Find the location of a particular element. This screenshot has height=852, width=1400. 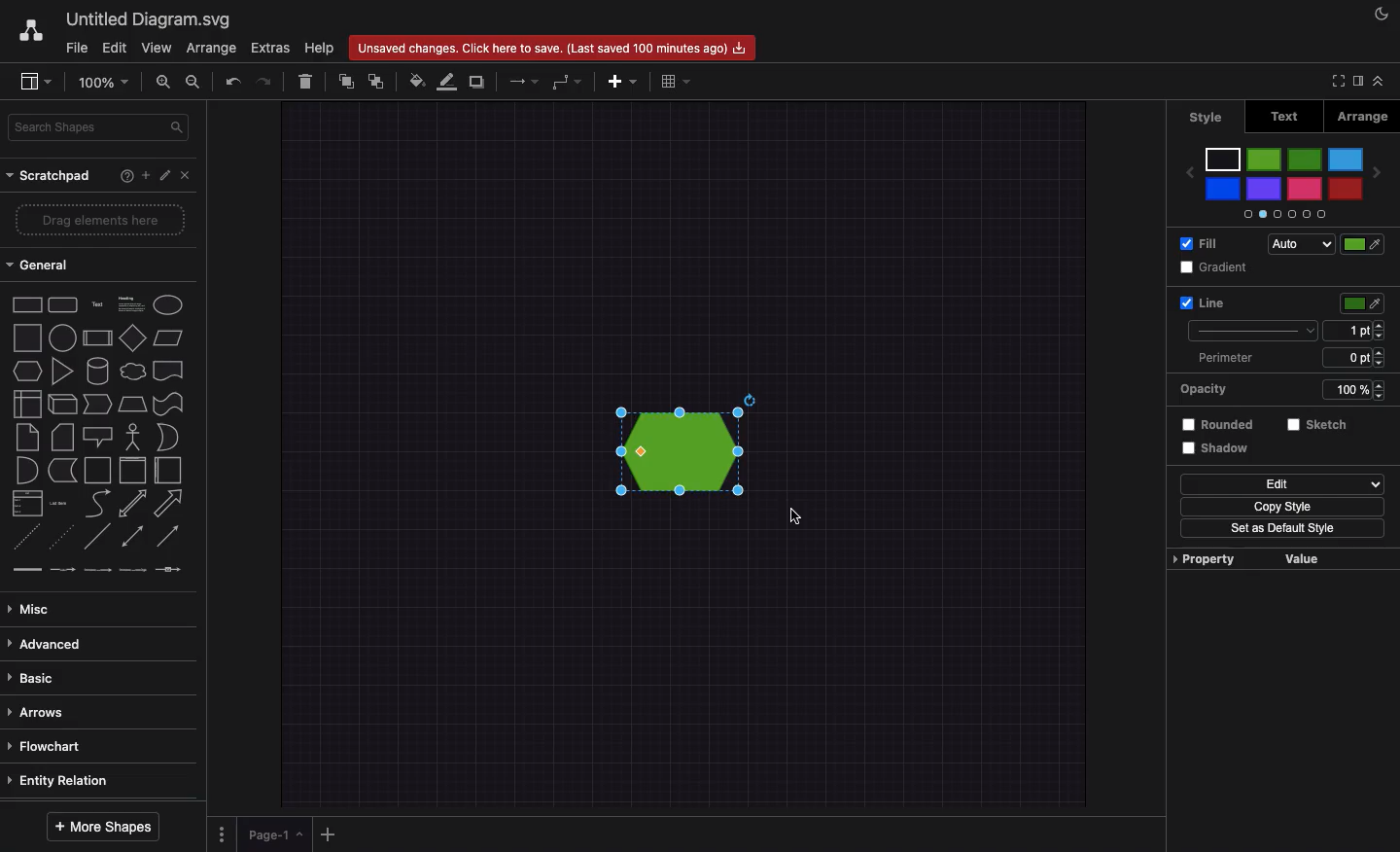

Page is located at coordinates (275, 835).